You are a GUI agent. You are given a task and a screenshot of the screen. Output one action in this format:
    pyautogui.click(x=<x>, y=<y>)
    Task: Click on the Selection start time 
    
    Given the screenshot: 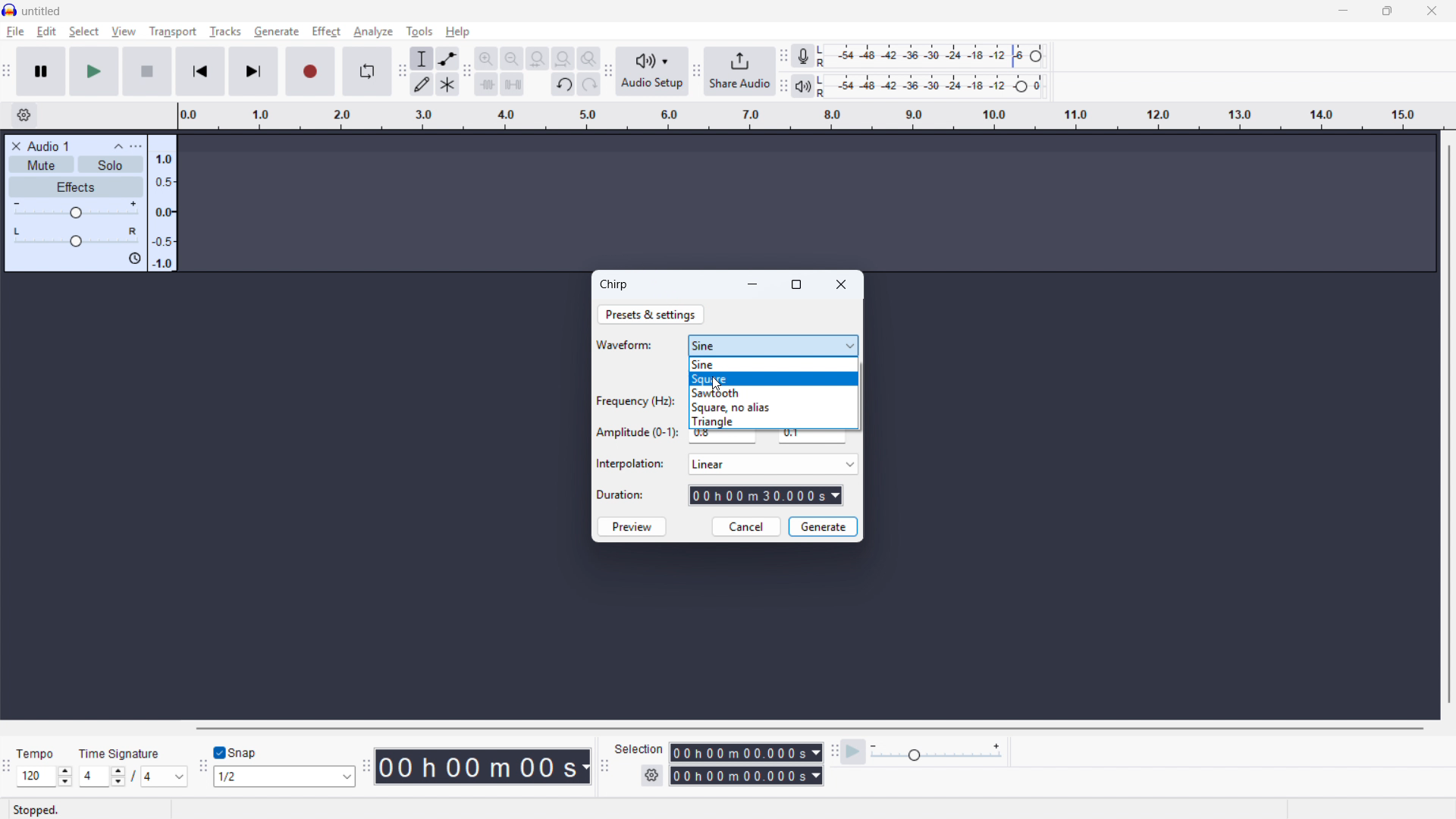 What is the action you would take?
    pyautogui.click(x=747, y=752)
    